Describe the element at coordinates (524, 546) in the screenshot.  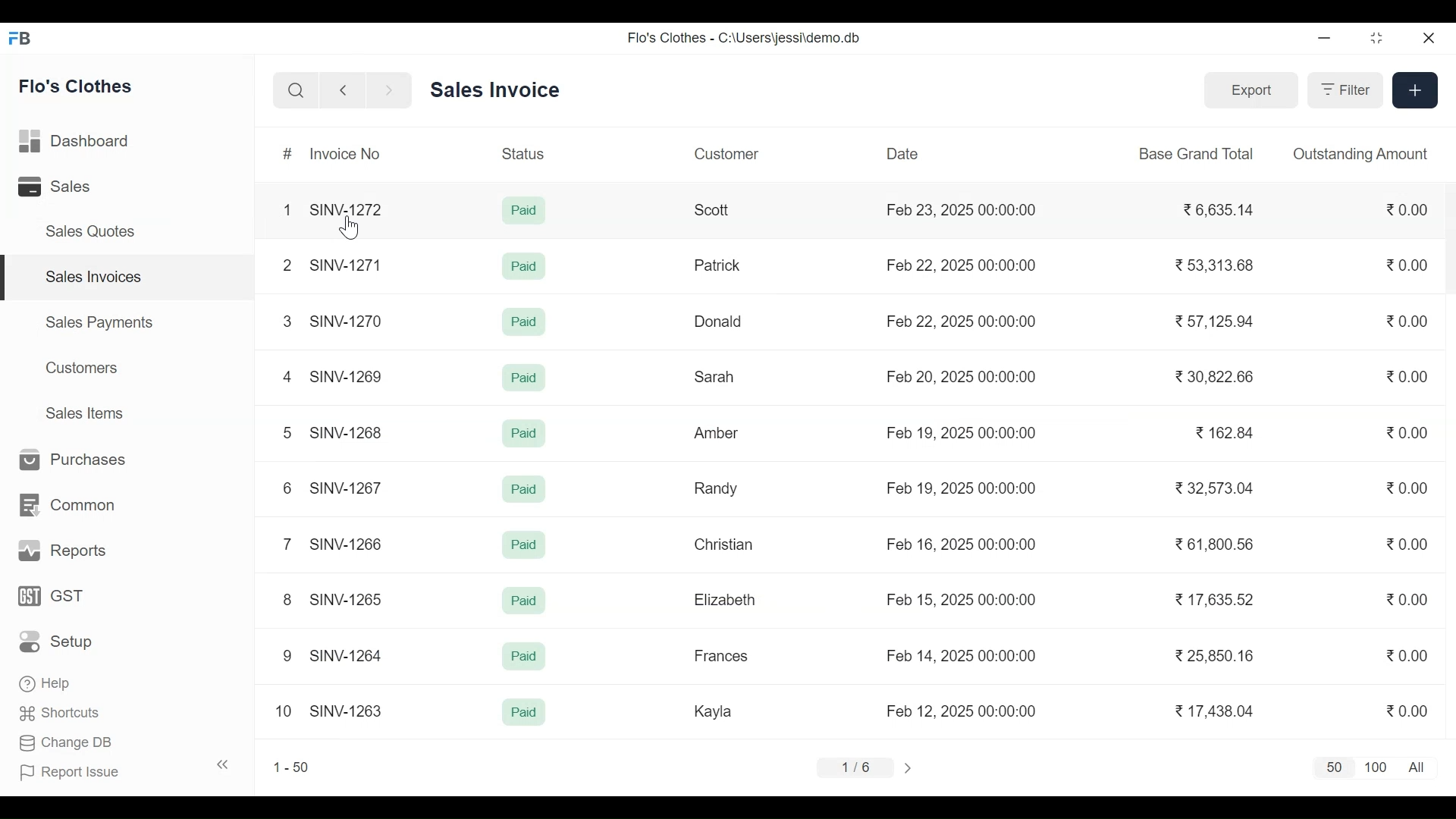
I see `Paid` at that location.